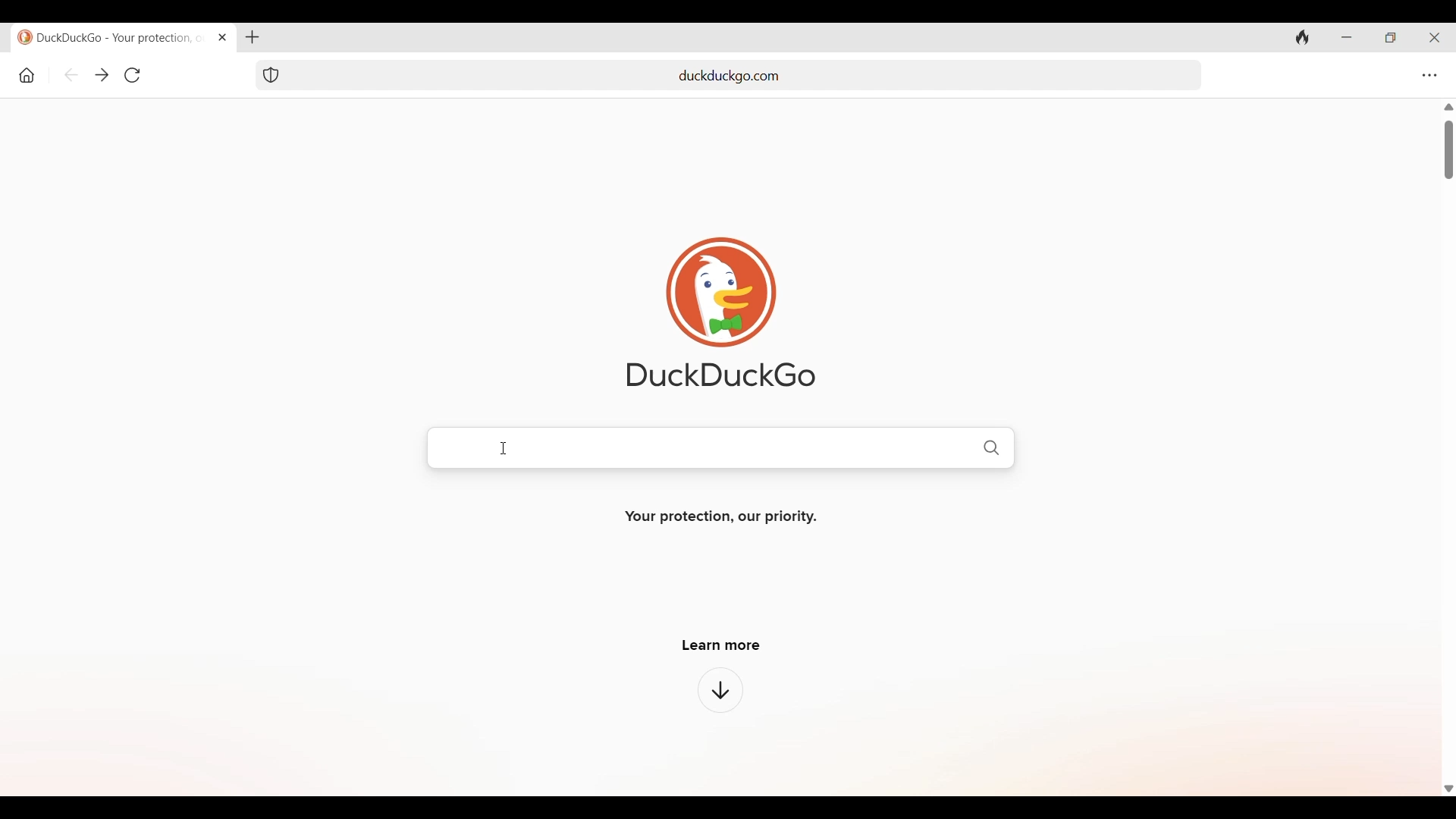 This screenshot has height=819, width=1456. Describe the element at coordinates (1302, 38) in the screenshot. I see `Clear history` at that location.